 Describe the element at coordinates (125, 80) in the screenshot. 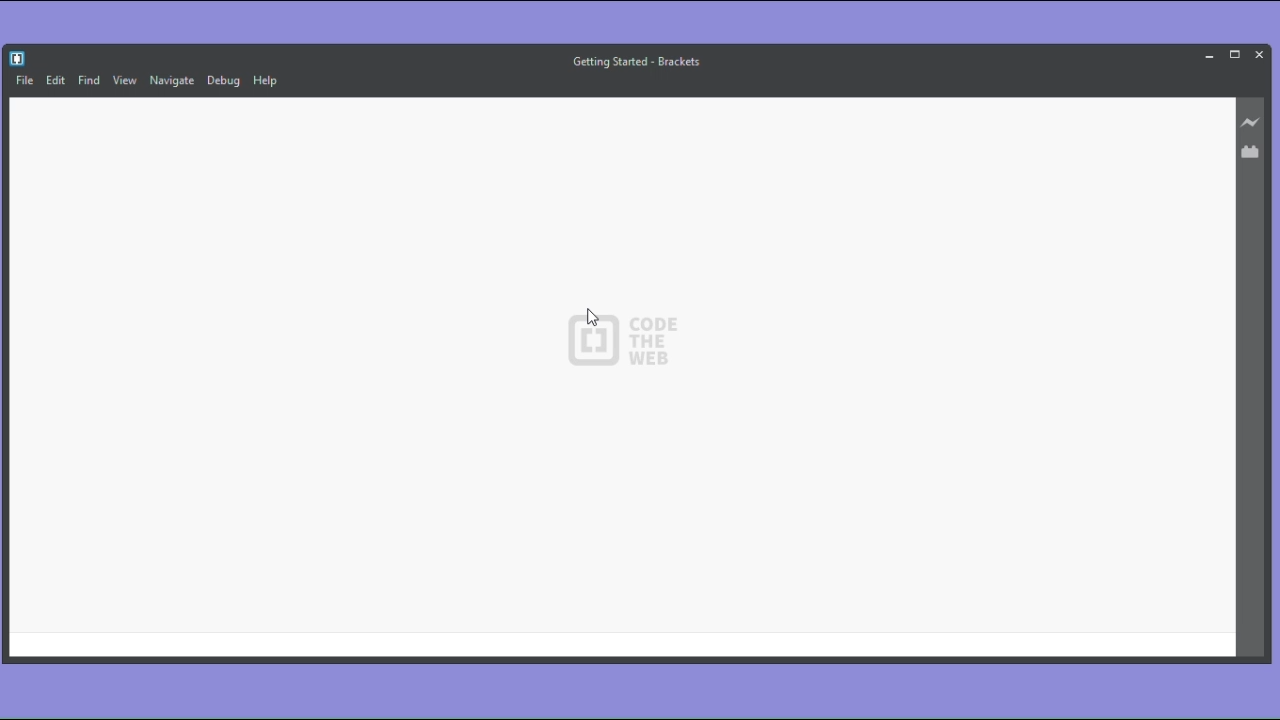

I see `View` at that location.